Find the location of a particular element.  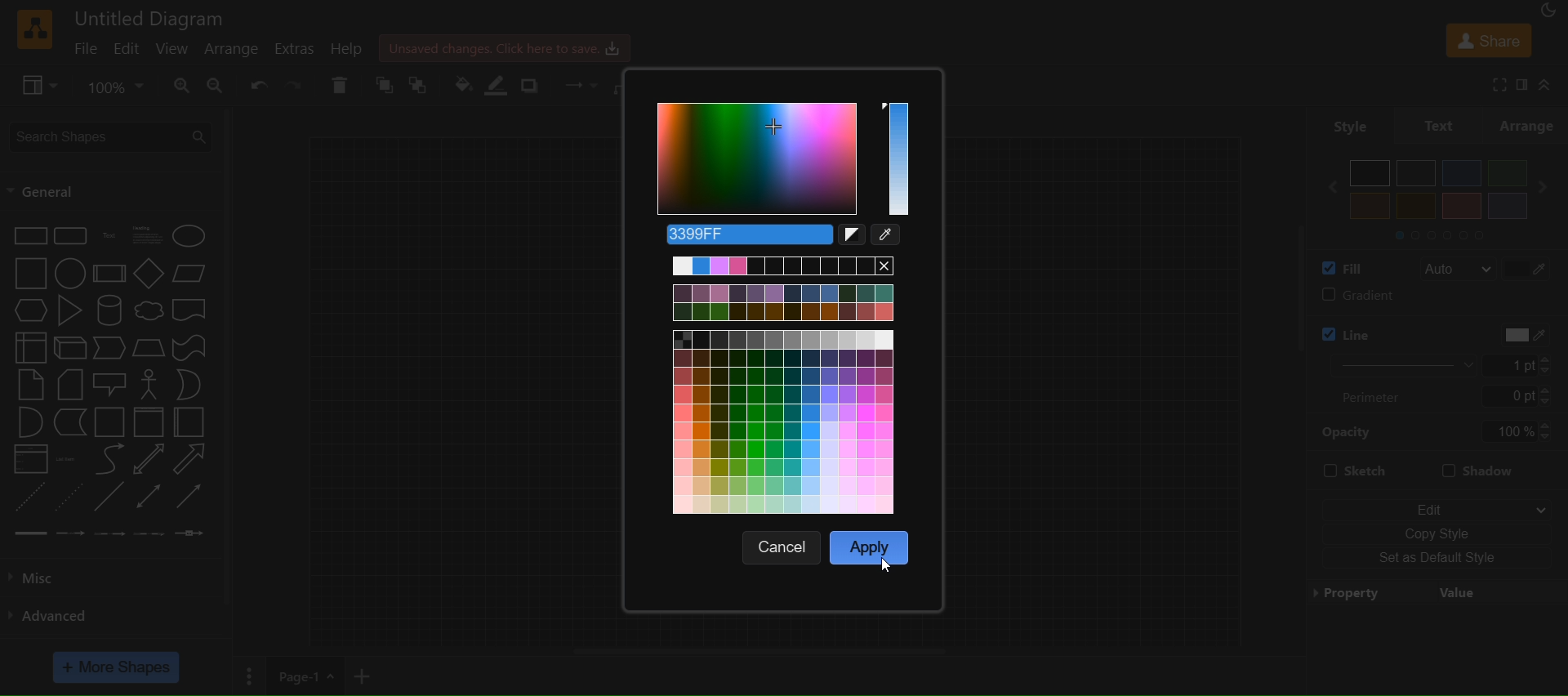

previous is located at coordinates (1325, 187).